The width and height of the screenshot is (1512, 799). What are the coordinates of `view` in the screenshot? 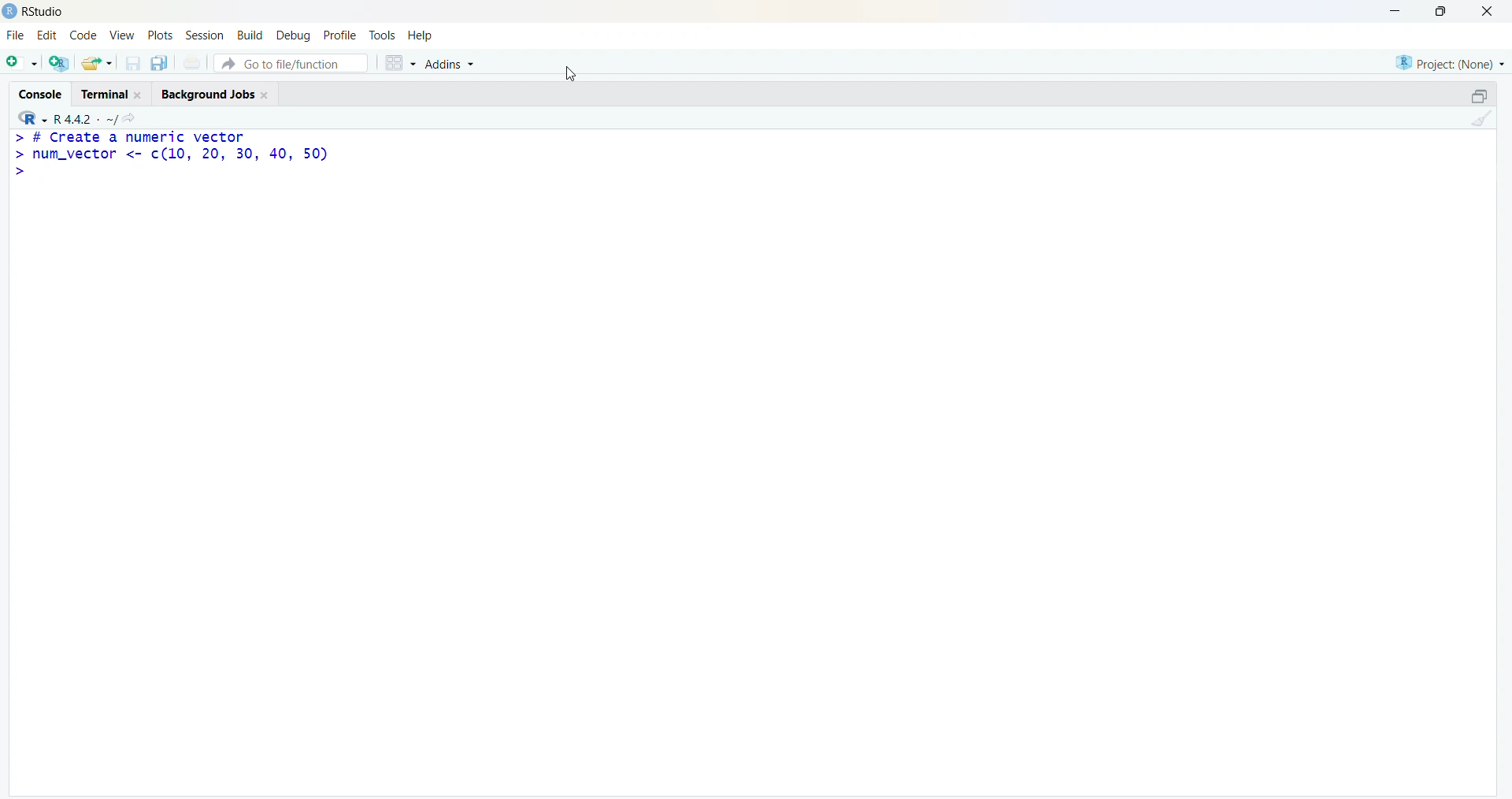 It's located at (122, 35).